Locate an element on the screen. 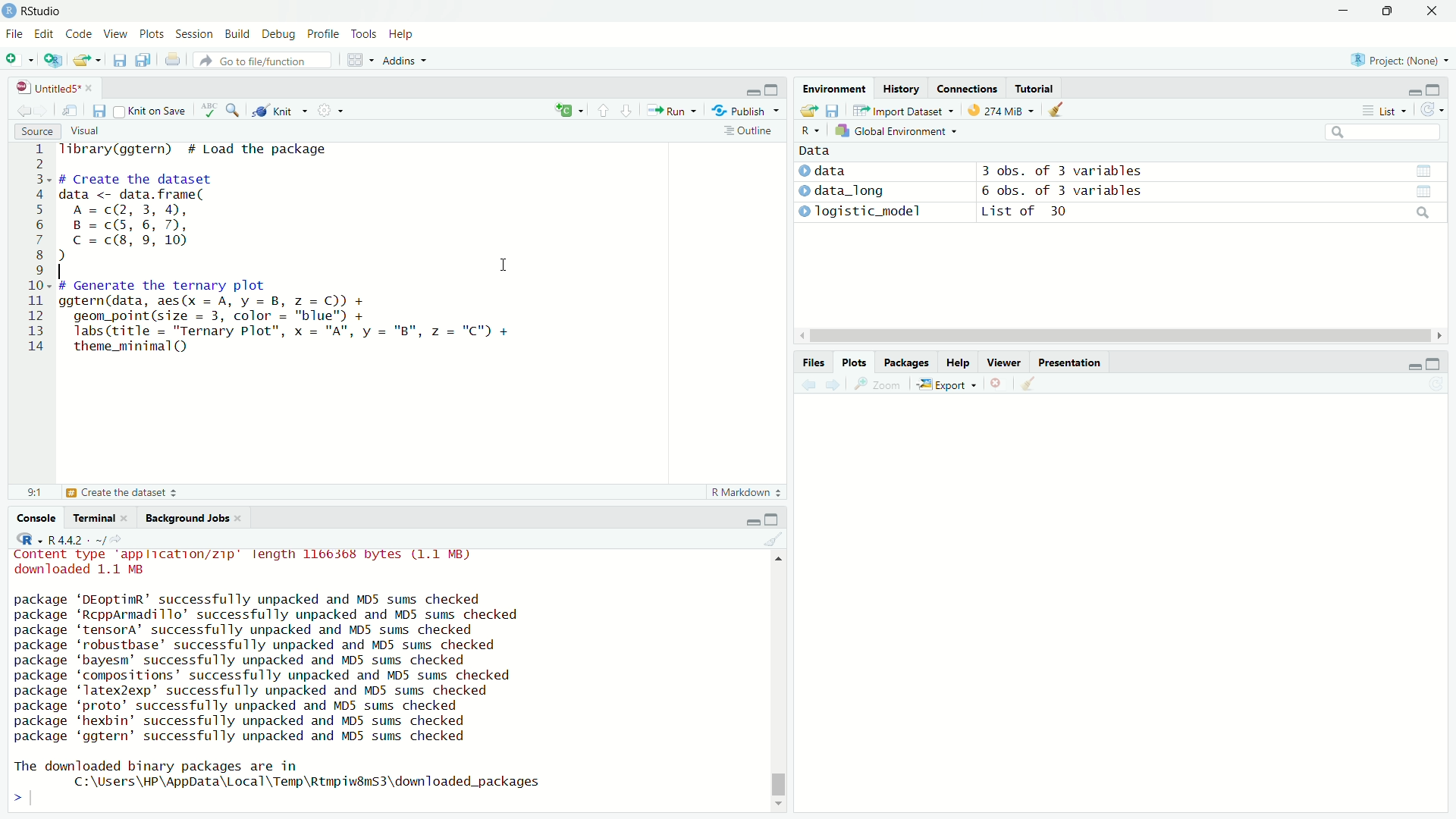 Image resolution: width=1456 pixels, height=819 pixels. cursor is located at coordinates (1109, 337).